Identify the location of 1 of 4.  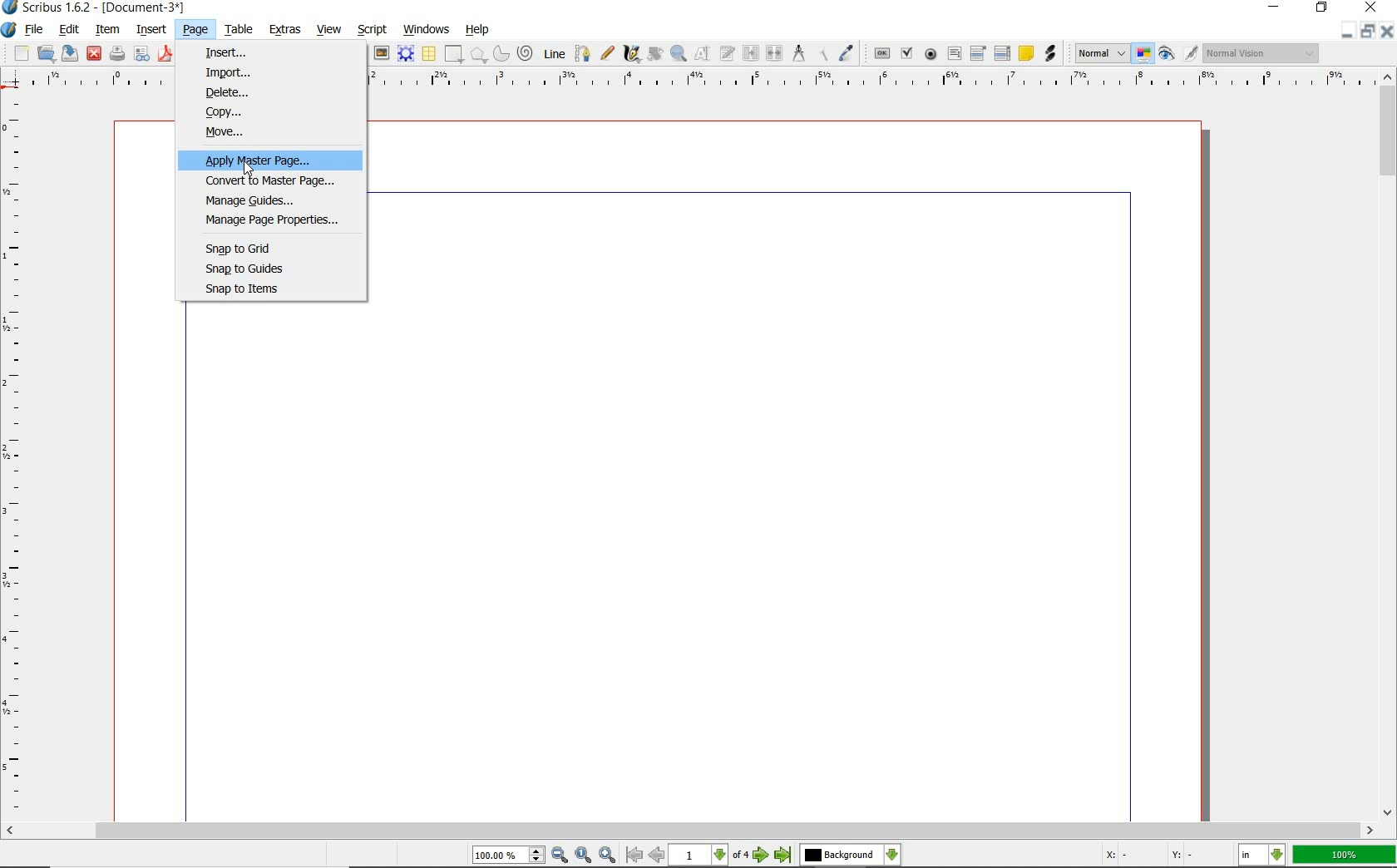
(711, 856).